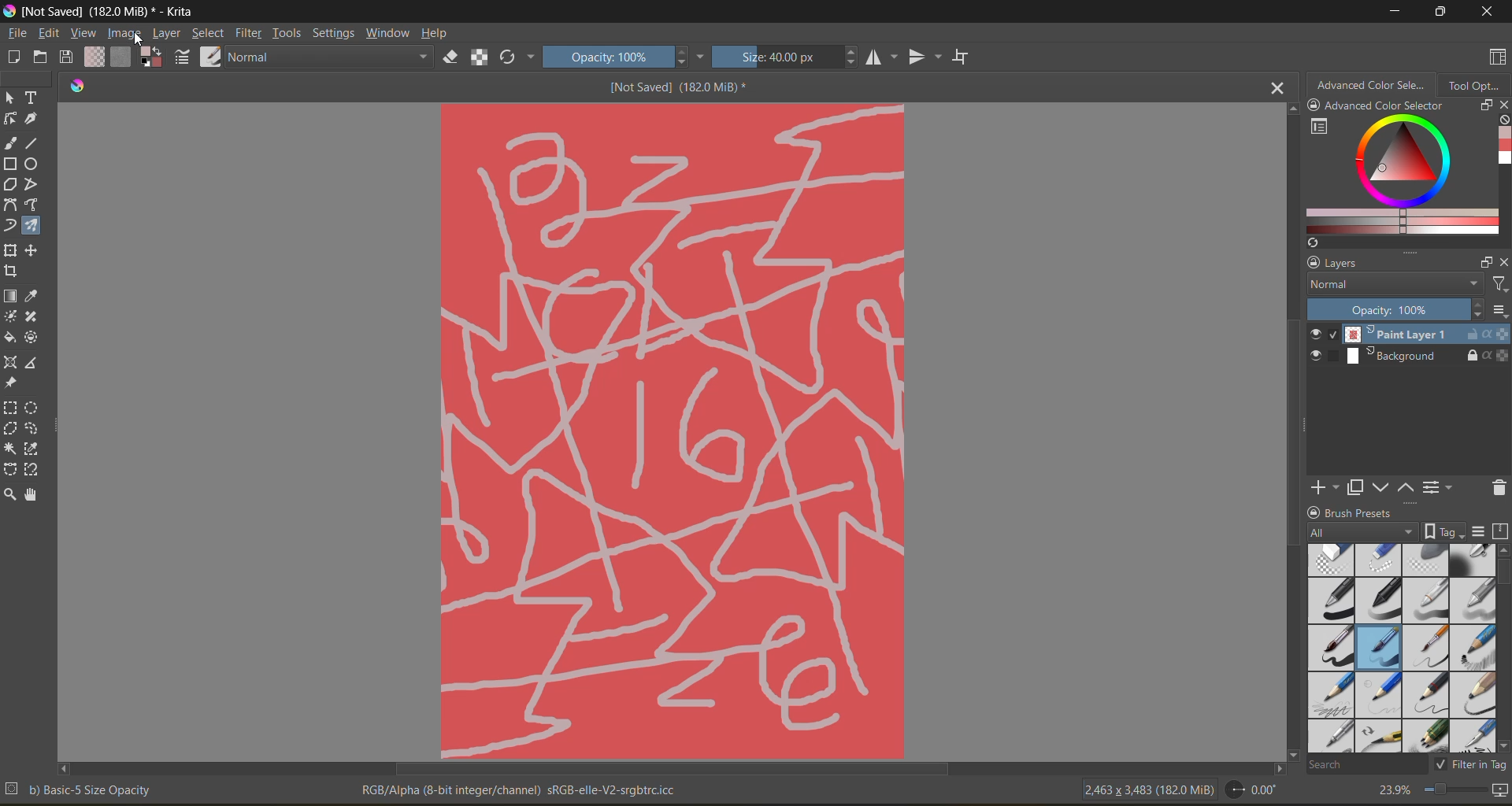 The height and width of the screenshot is (806, 1512). I want to click on fill patterns, so click(124, 56).